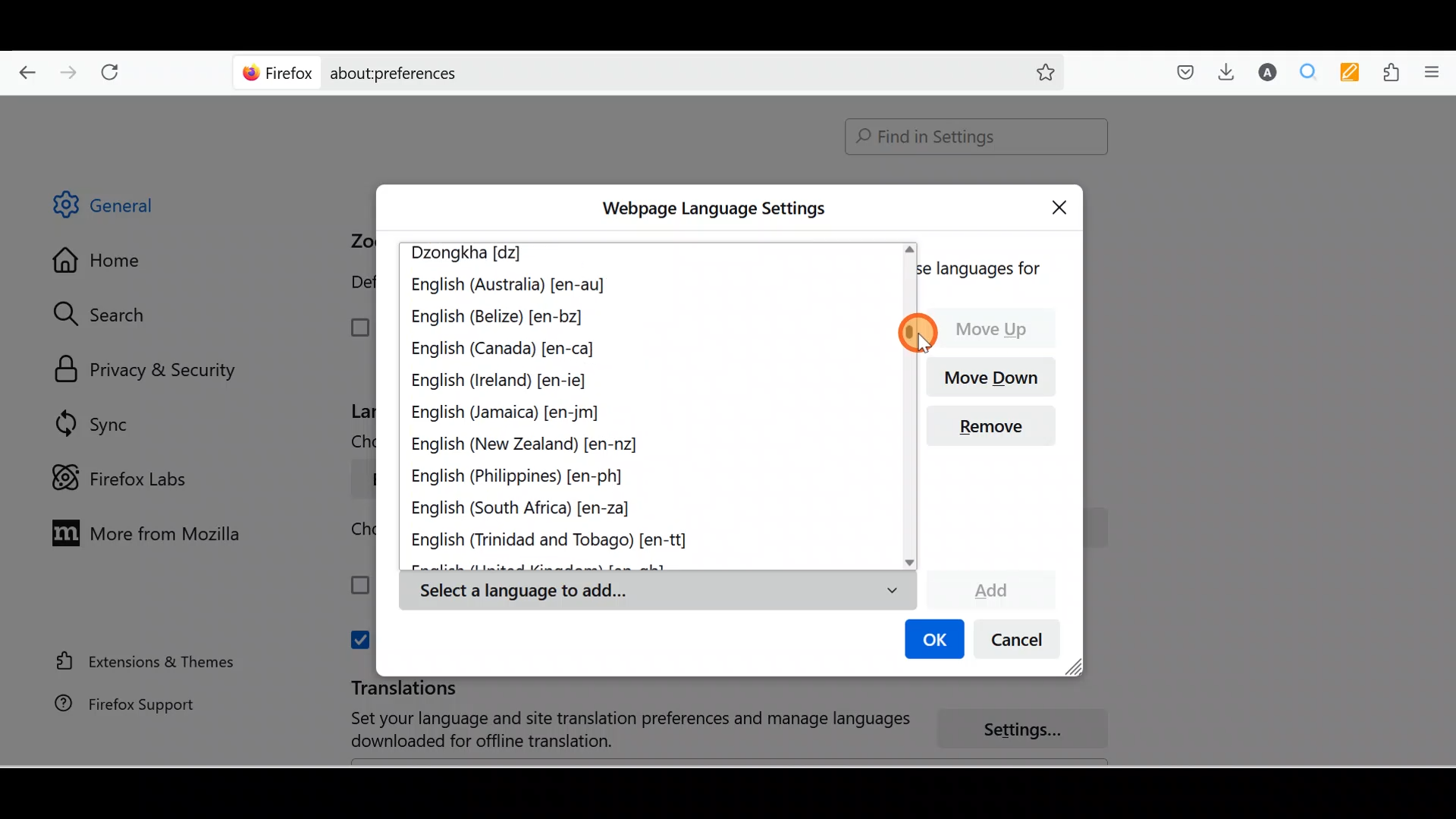 This screenshot has width=1456, height=819. I want to click on English (Trinidad and Tobago) [en-tt], so click(560, 541).